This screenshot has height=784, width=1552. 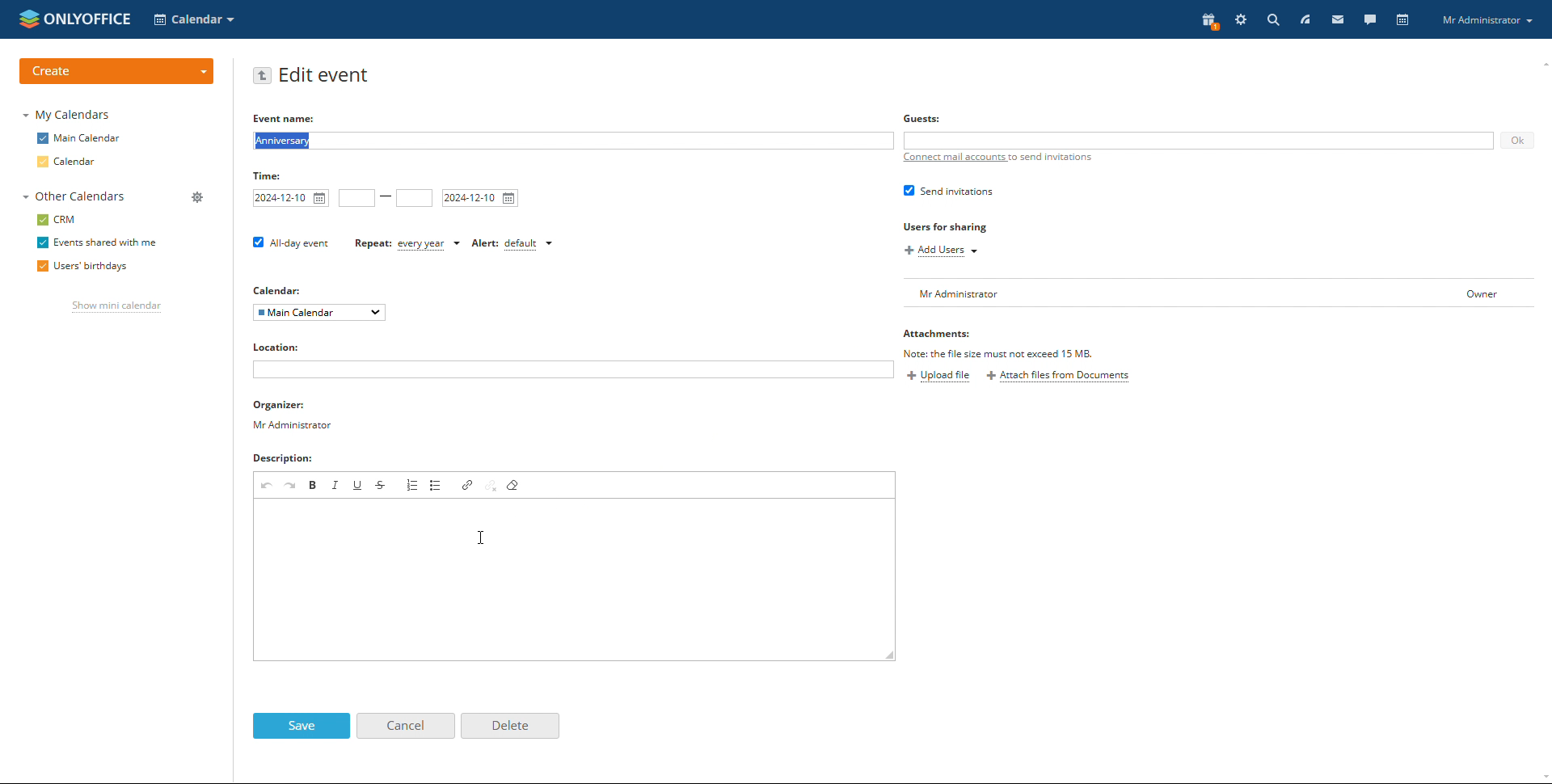 What do you see at coordinates (196, 197) in the screenshot?
I see `manage` at bounding box center [196, 197].